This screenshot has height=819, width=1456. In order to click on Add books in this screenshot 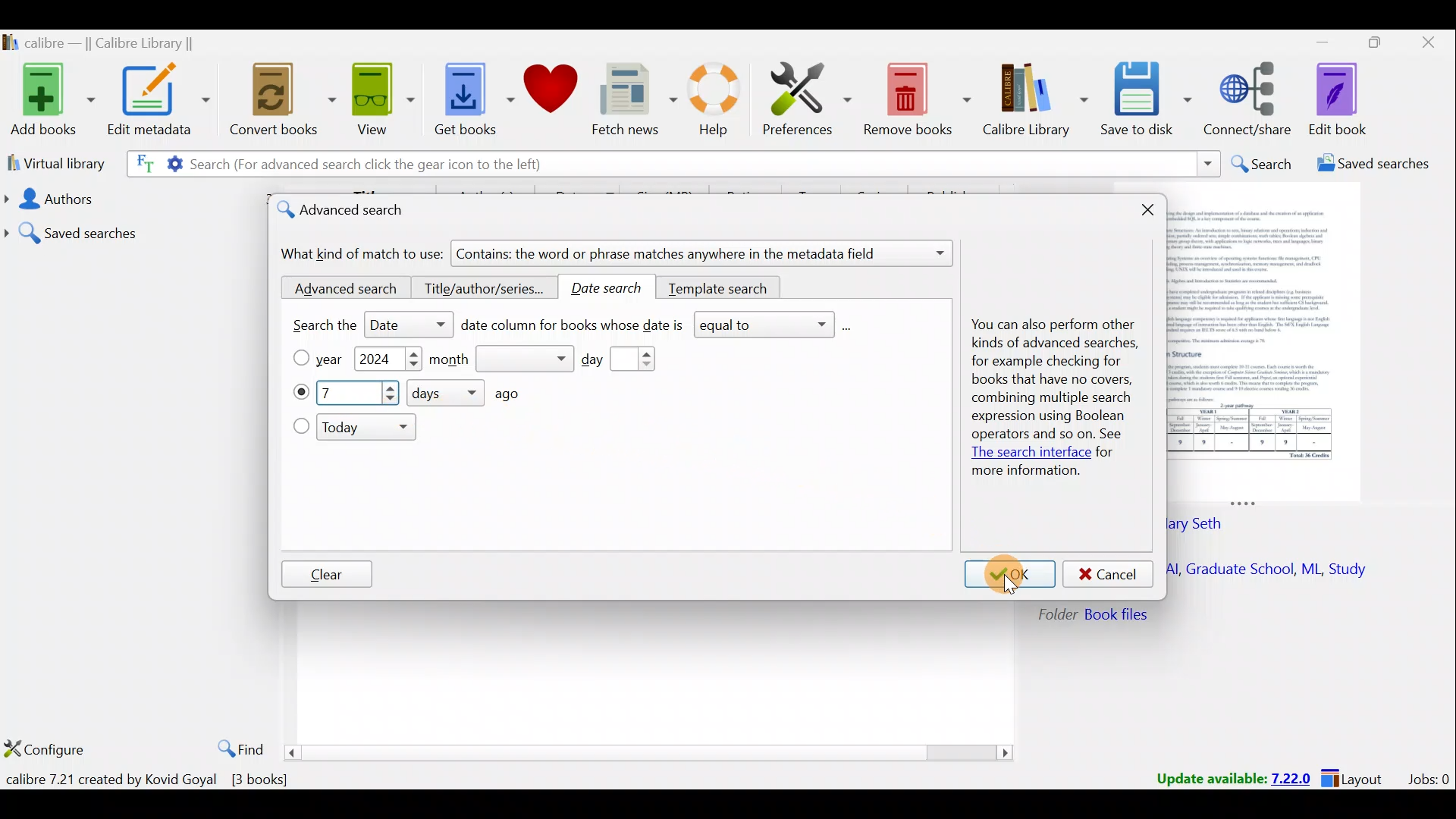, I will do `click(49, 97)`.